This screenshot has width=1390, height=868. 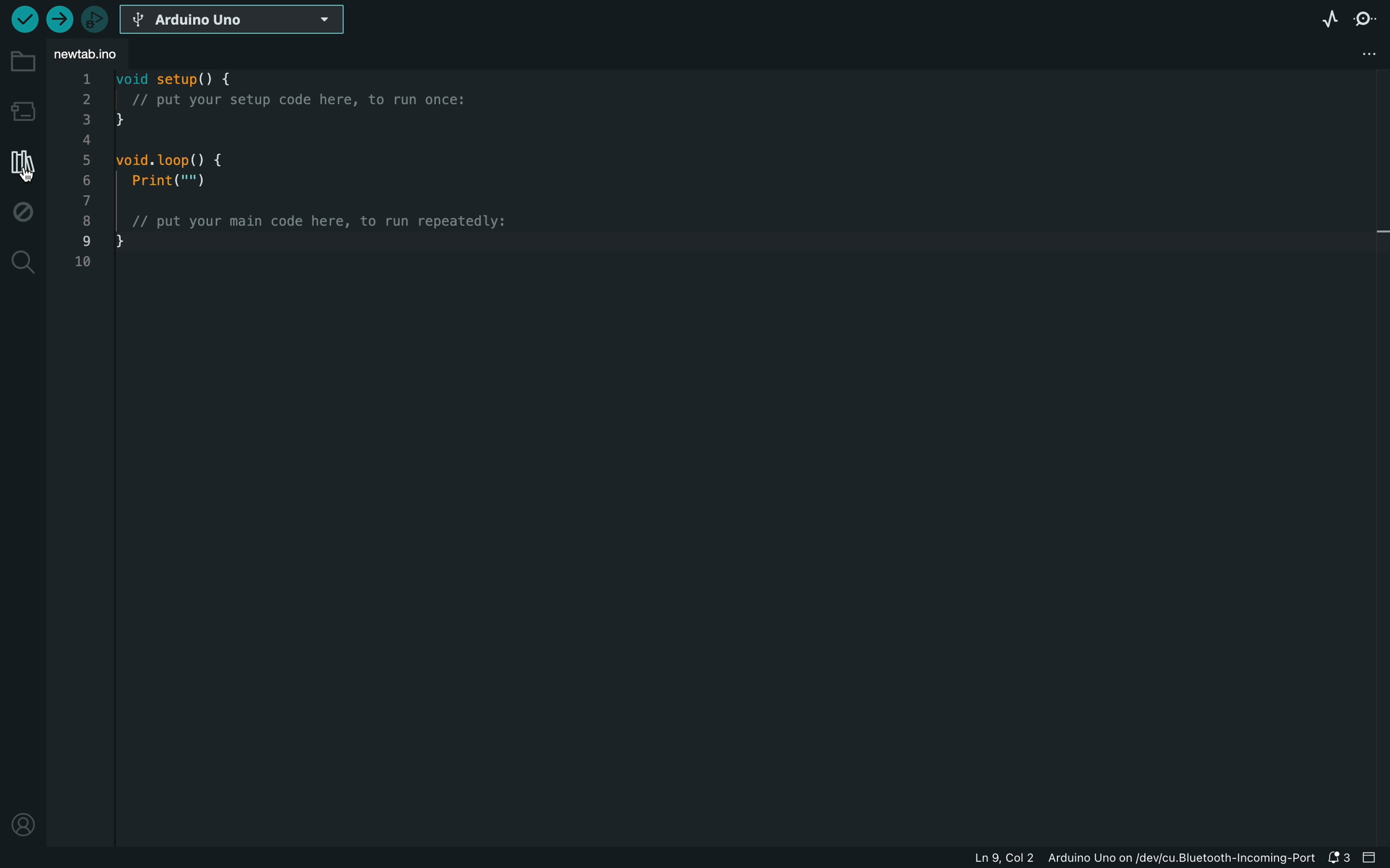 I want to click on close slide bar, so click(x=1373, y=858).